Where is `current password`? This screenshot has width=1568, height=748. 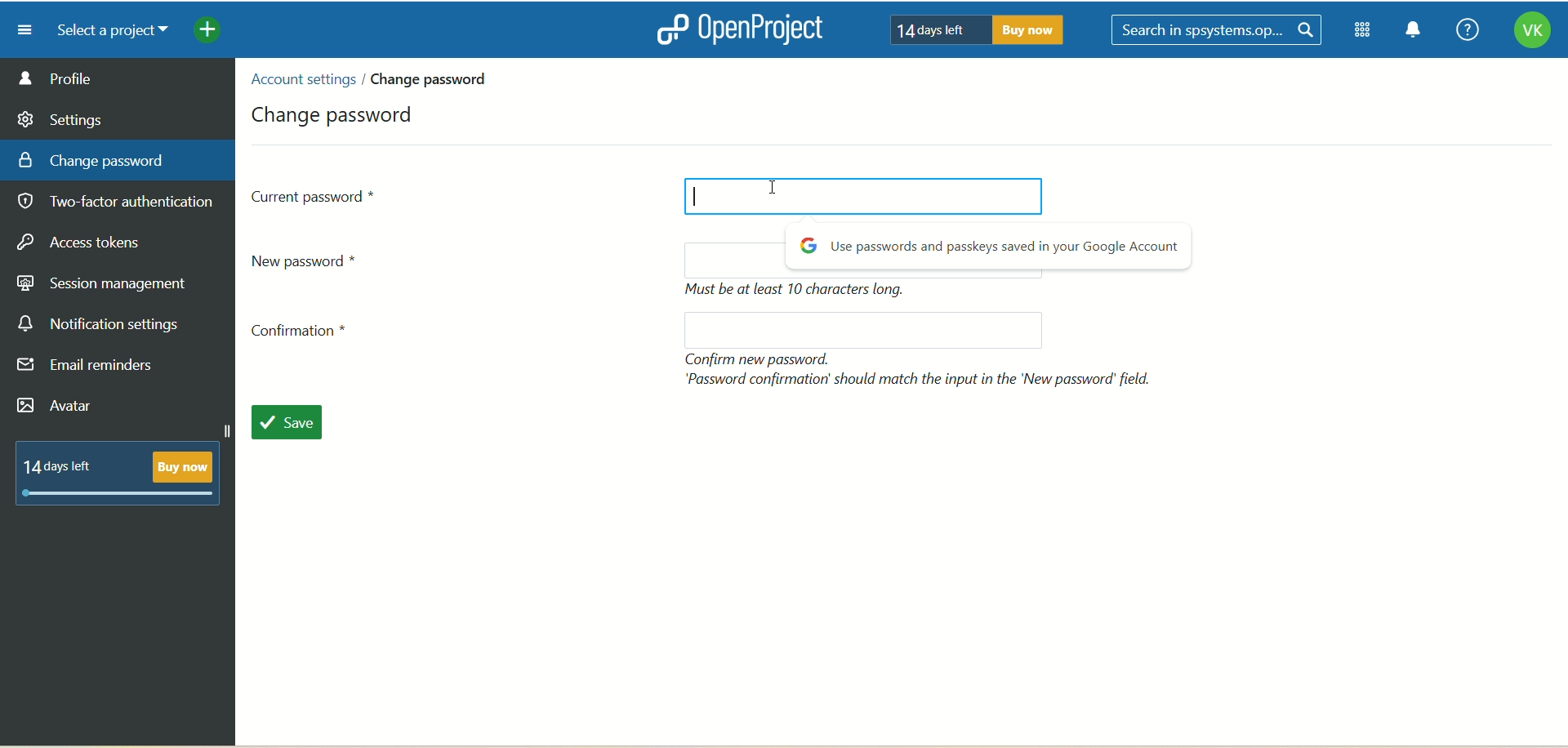 current password is located at coordinates (315, 195).